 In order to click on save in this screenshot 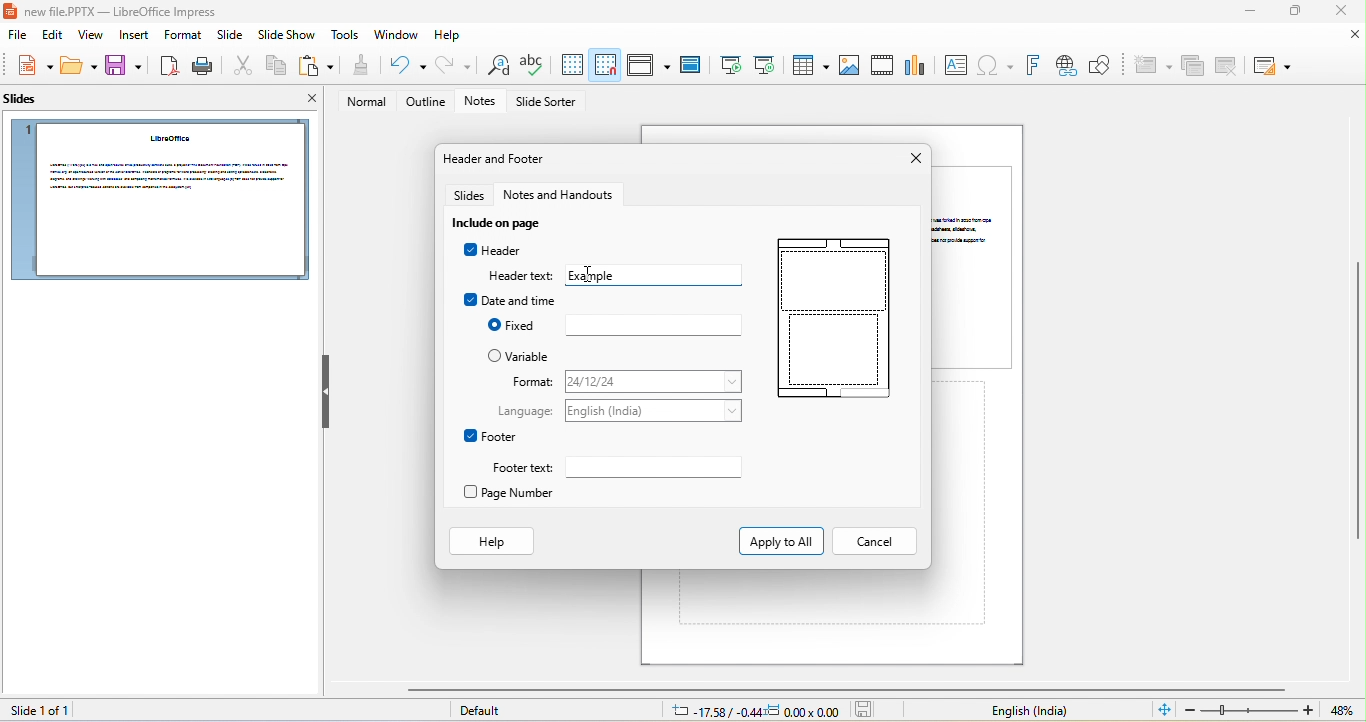, I will do `click(124, 67)`.